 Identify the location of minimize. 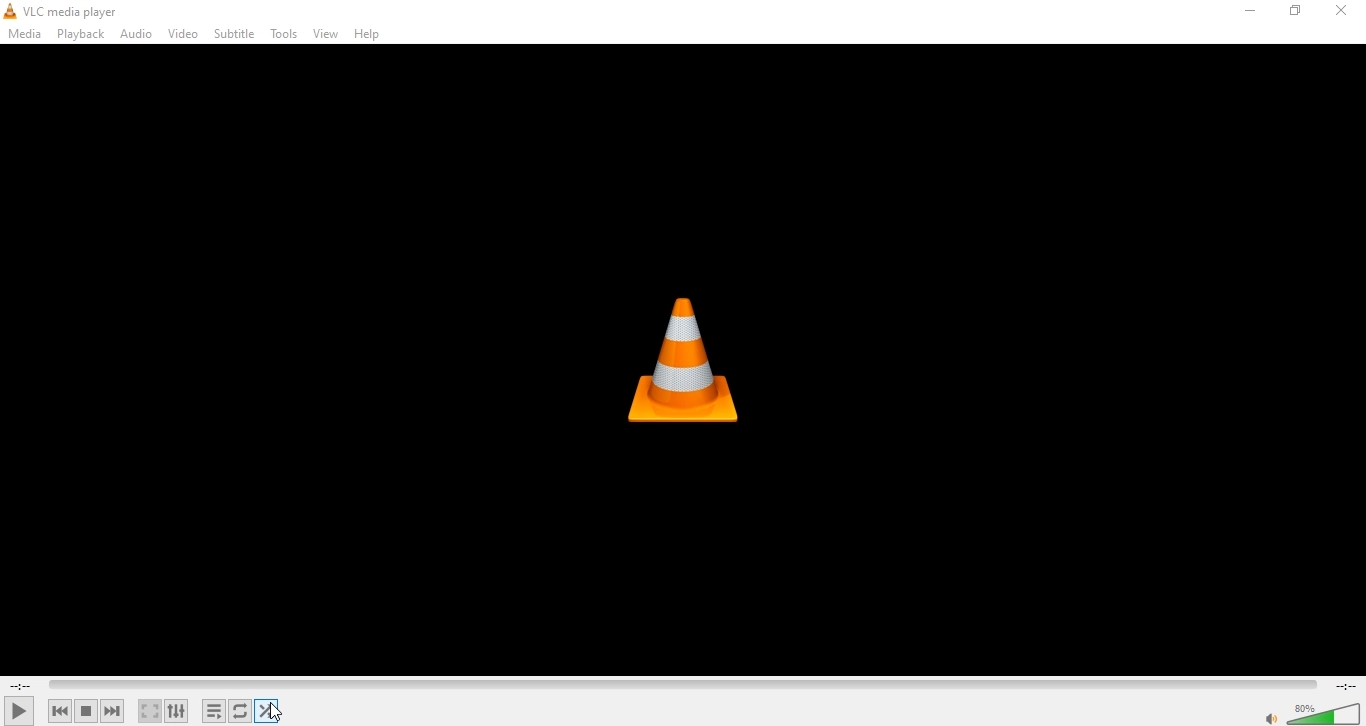
(1251, 9).